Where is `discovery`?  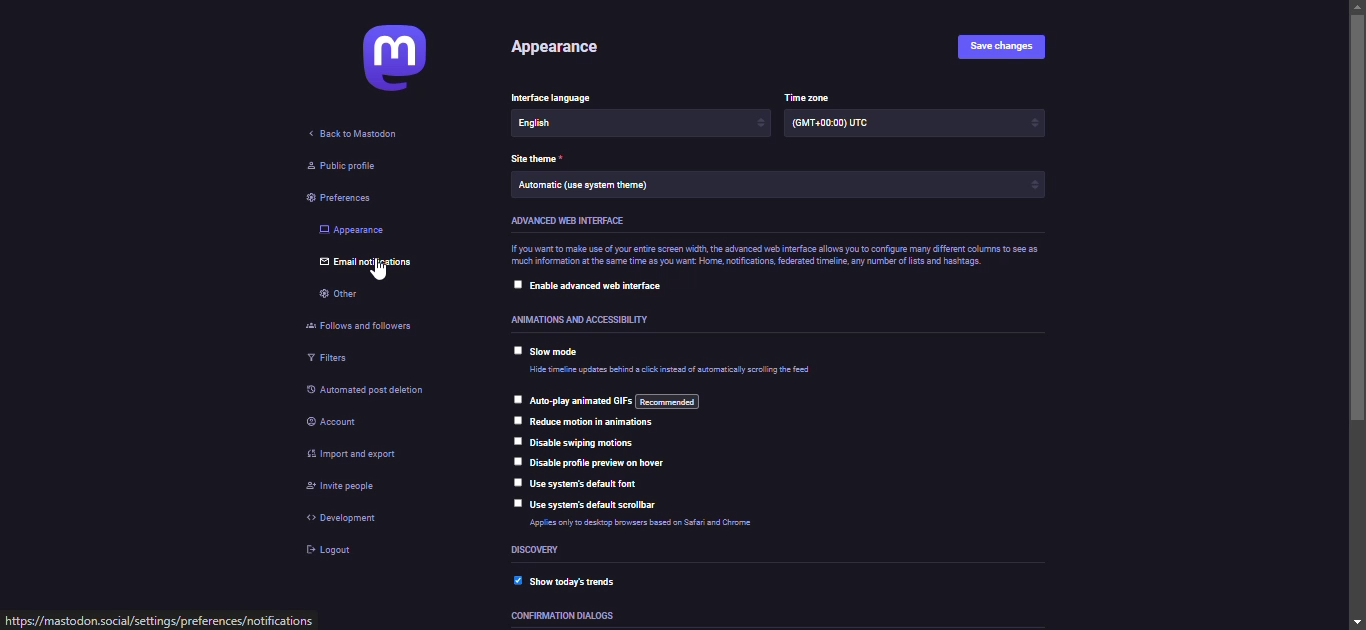 discovery is located at coordinates (536, 549).